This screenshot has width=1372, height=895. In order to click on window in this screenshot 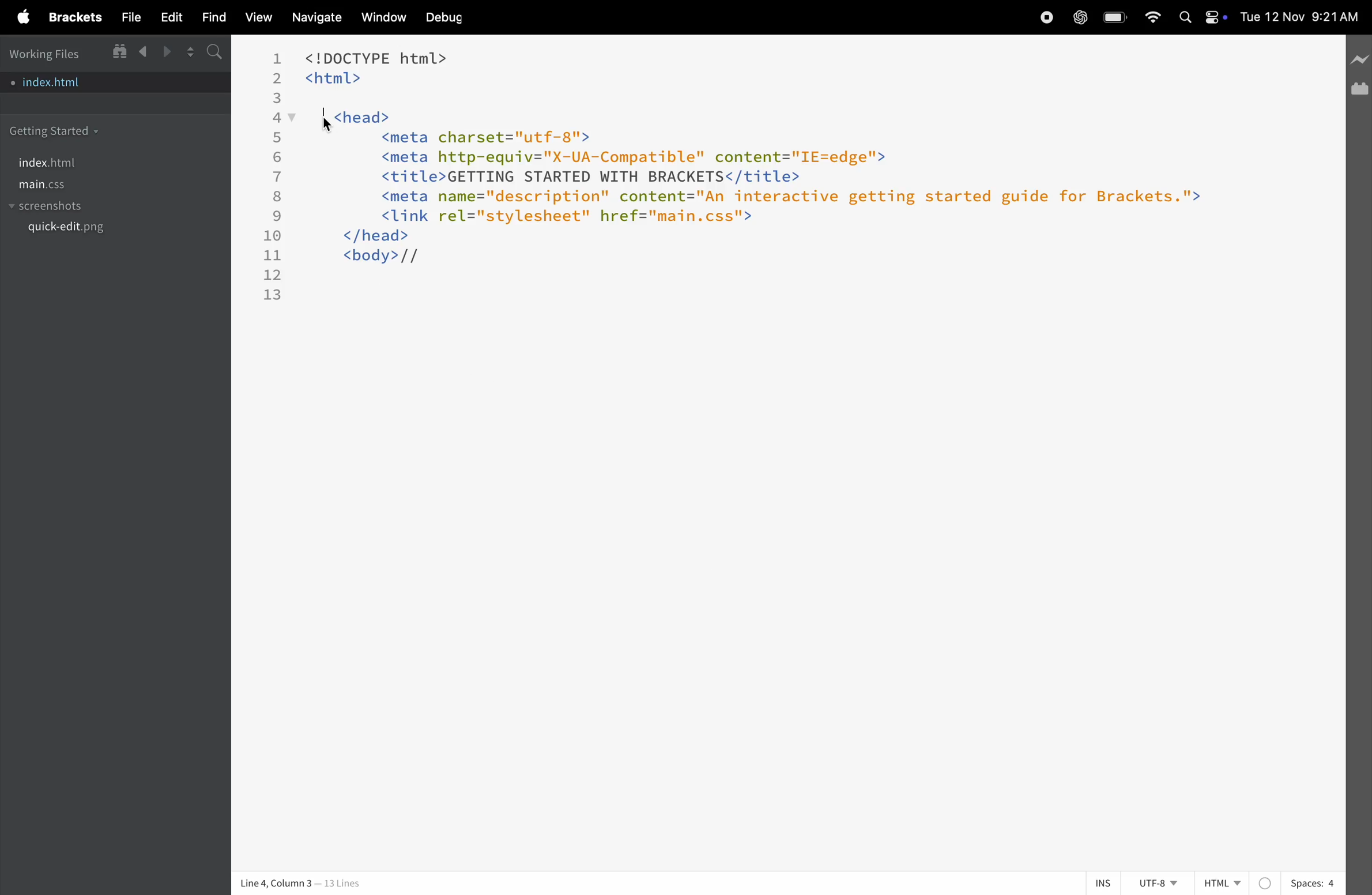, I will do `click(382, 17)`.